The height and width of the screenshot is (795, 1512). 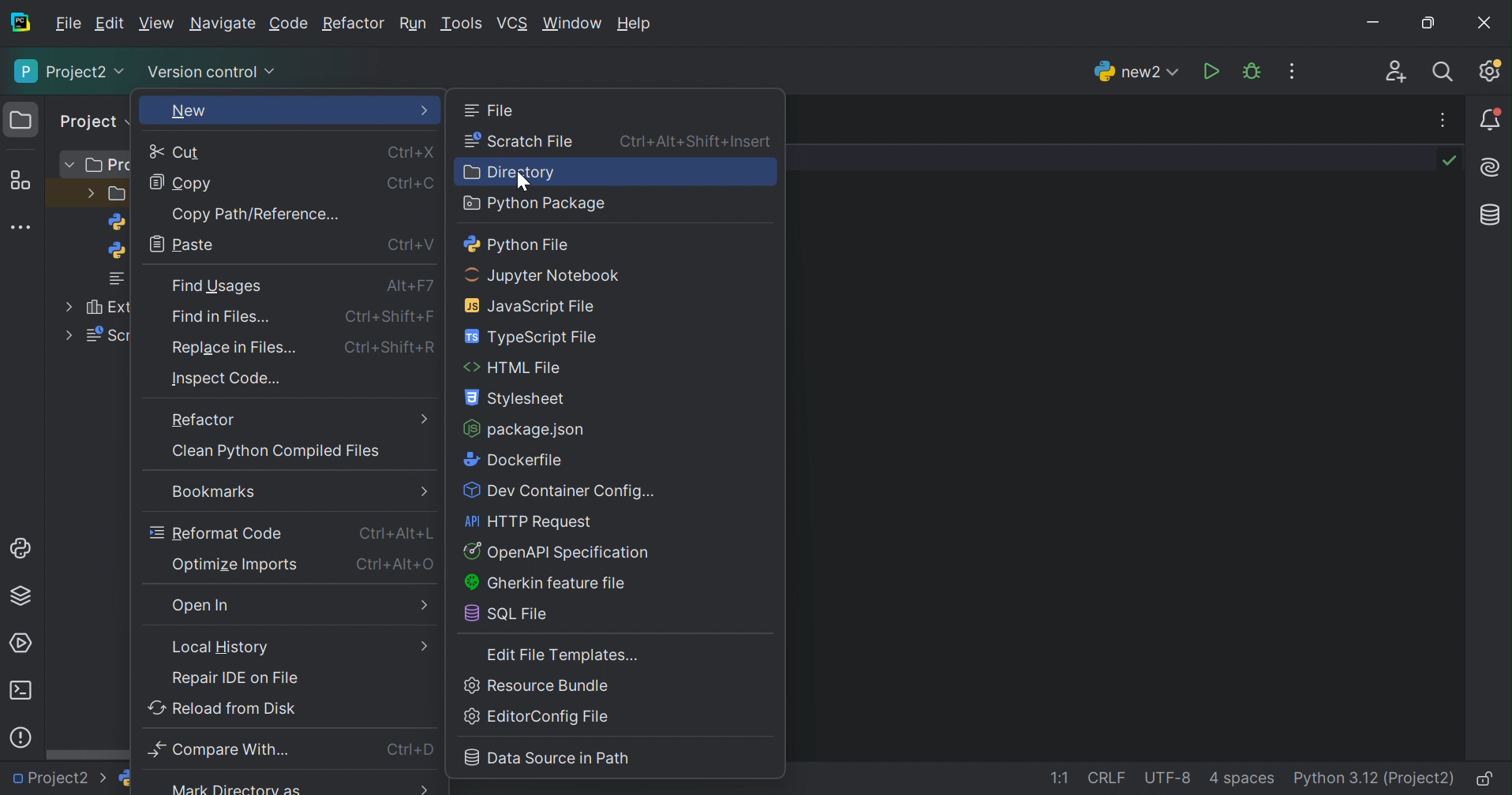 I want to click on Ext, so click(x=110, y=308).